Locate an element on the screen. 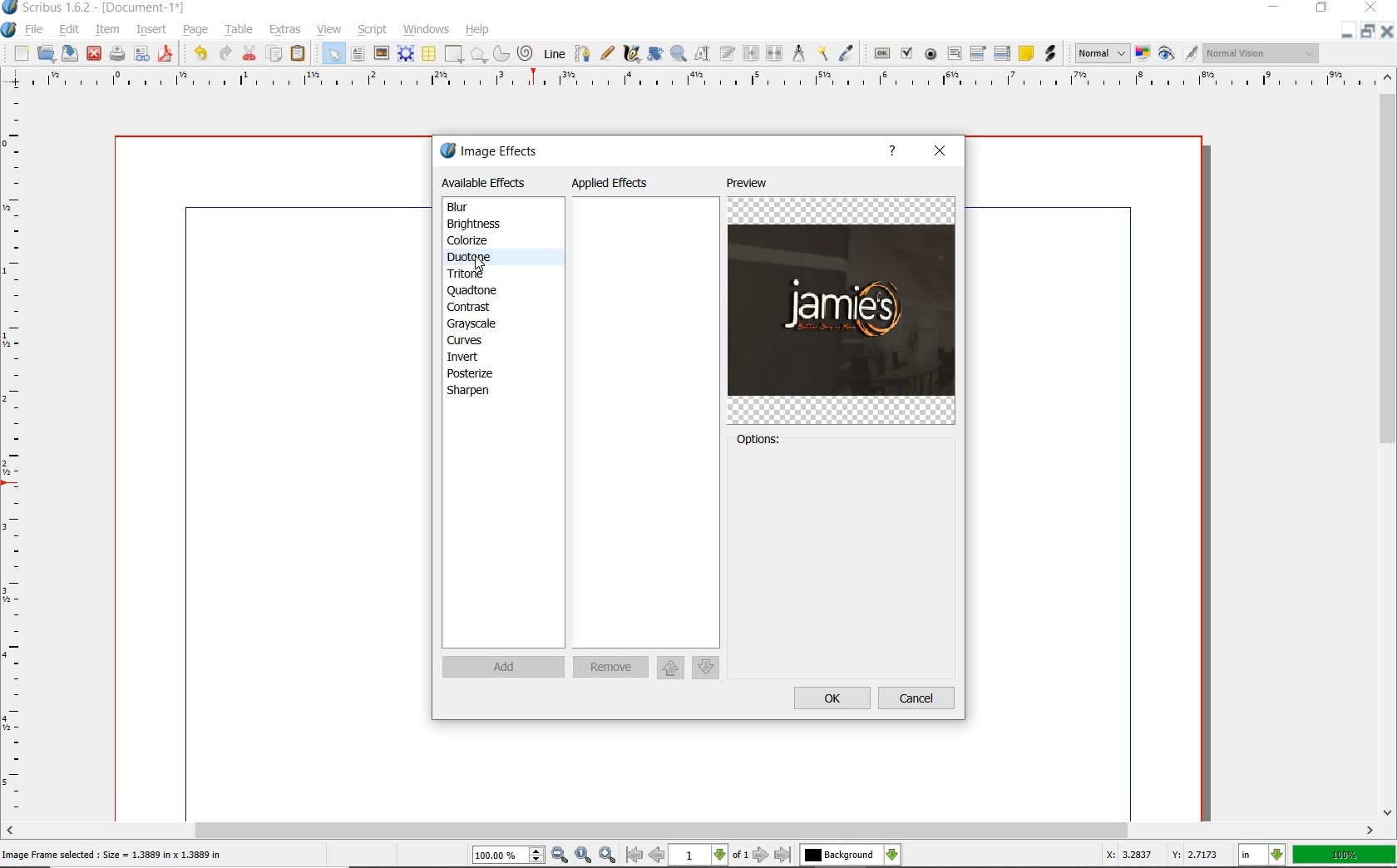  save is located at coordinates (71, 53).